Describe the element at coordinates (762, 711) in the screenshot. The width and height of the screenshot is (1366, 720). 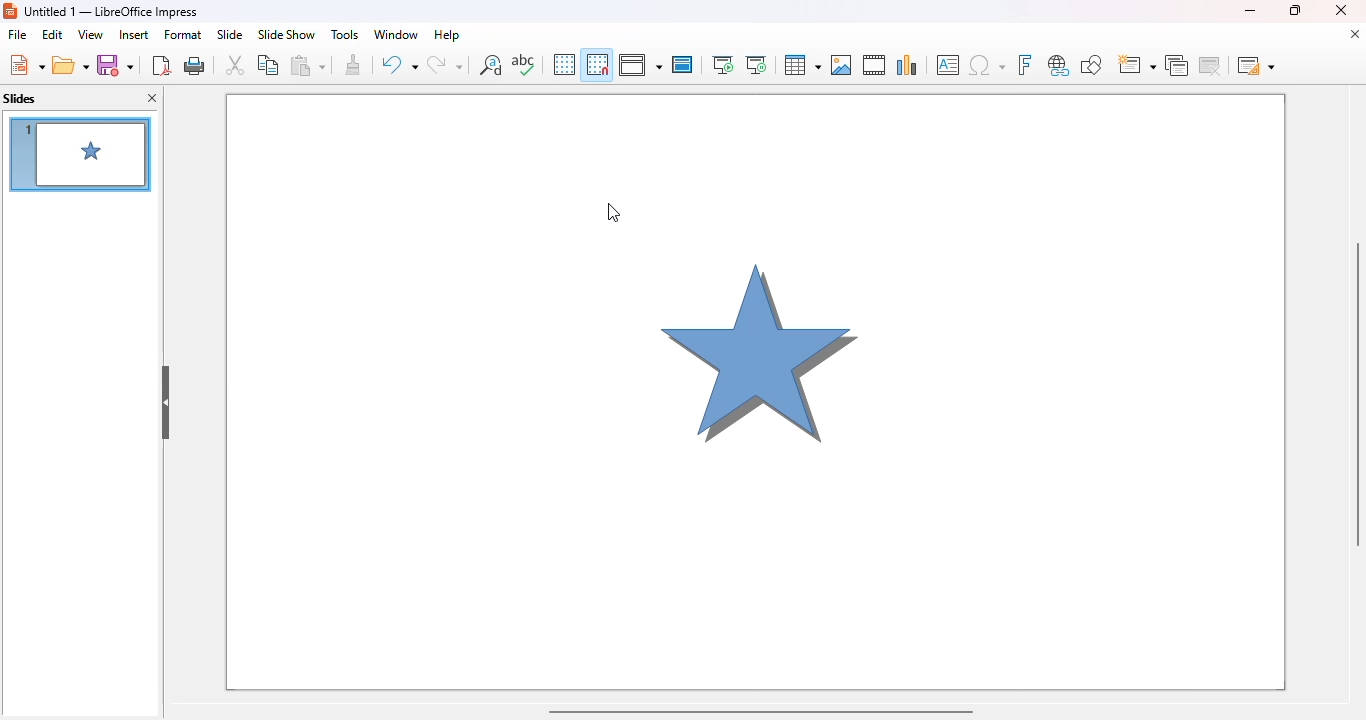
I see `horizontal scroll bar` at that location.